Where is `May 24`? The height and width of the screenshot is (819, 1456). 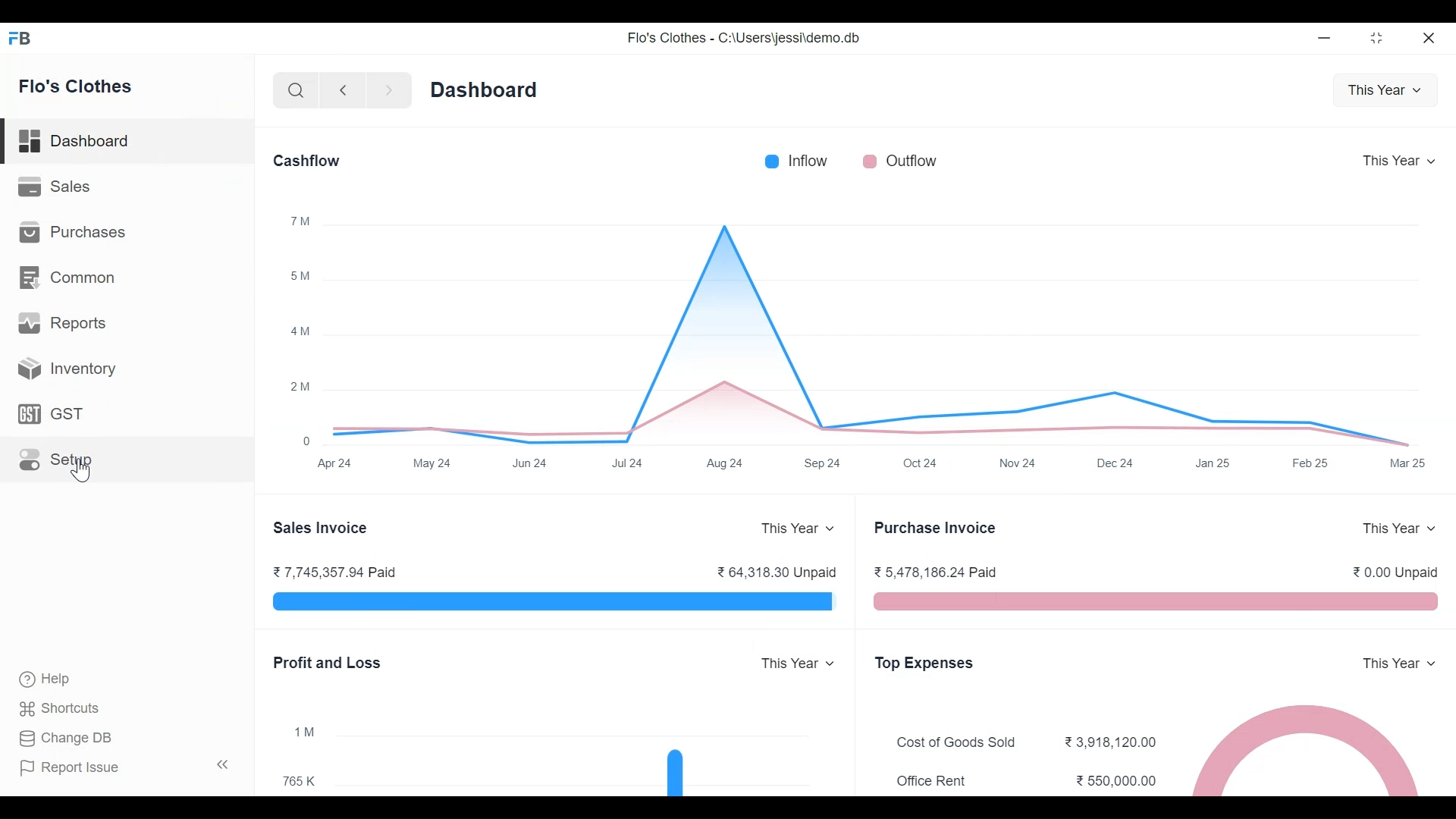
May 24 is located at coordinates (441, 465).